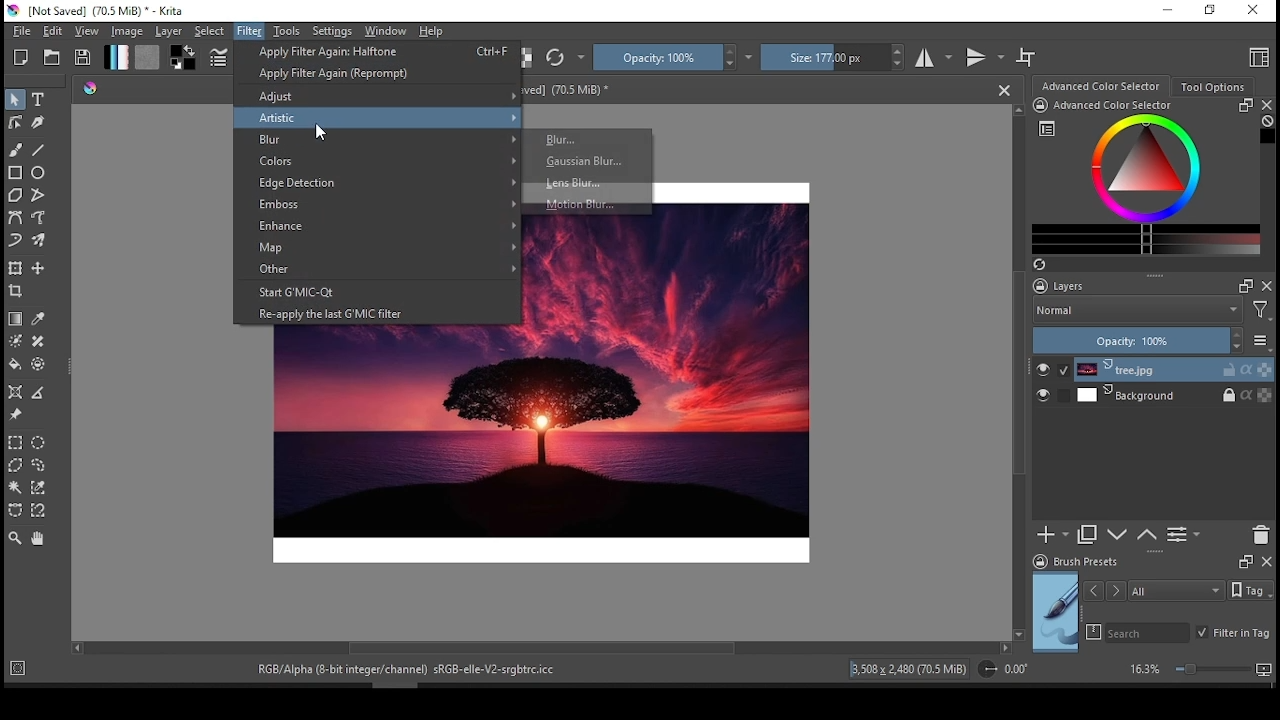  I want to click on pan tool, so click(38, 538).